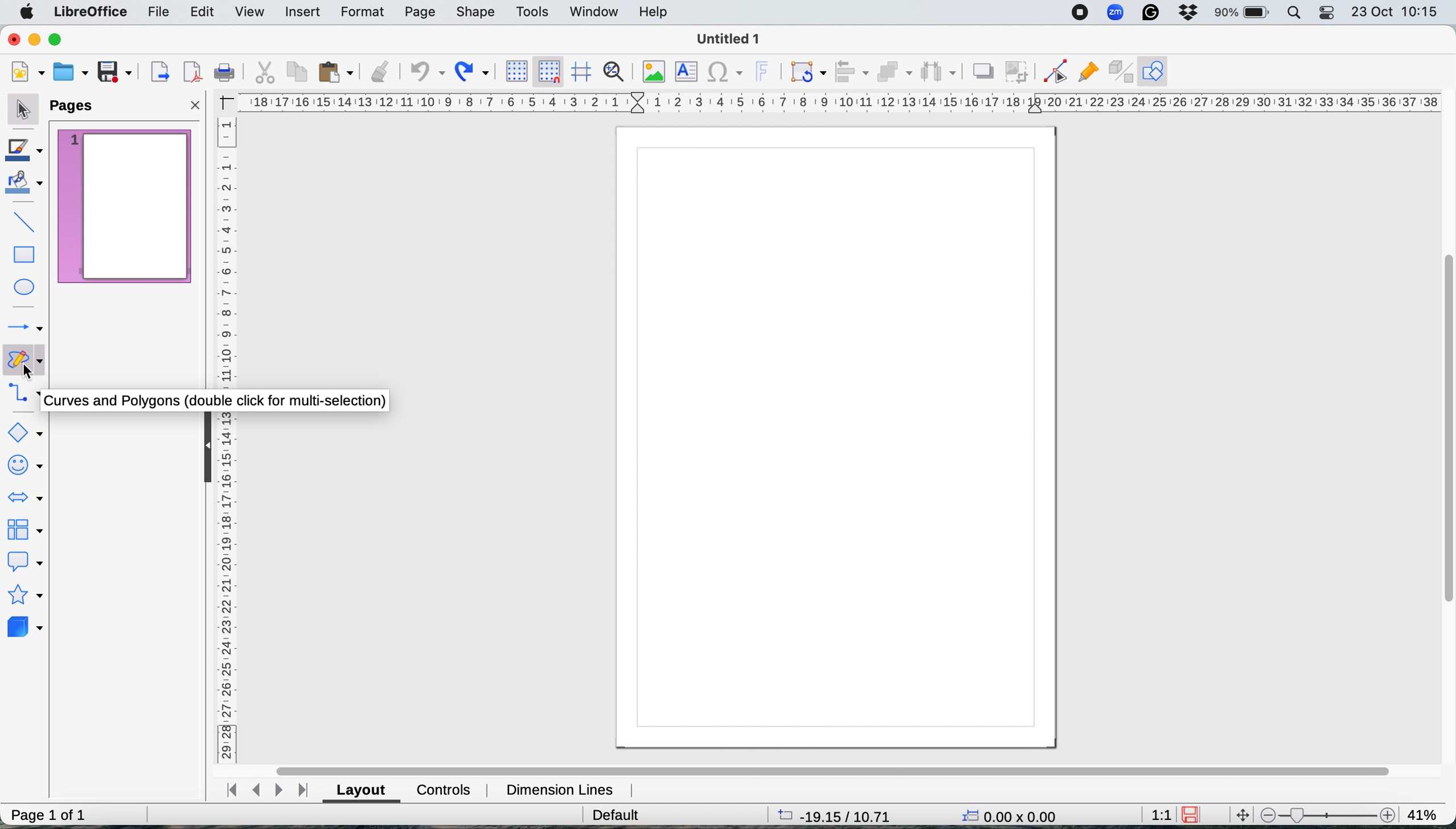 The image size is (1456, 829). What do you see at coordinates (549, 72) in the screenshot?
I see `snap to grid` at bounding box center [549, 72].